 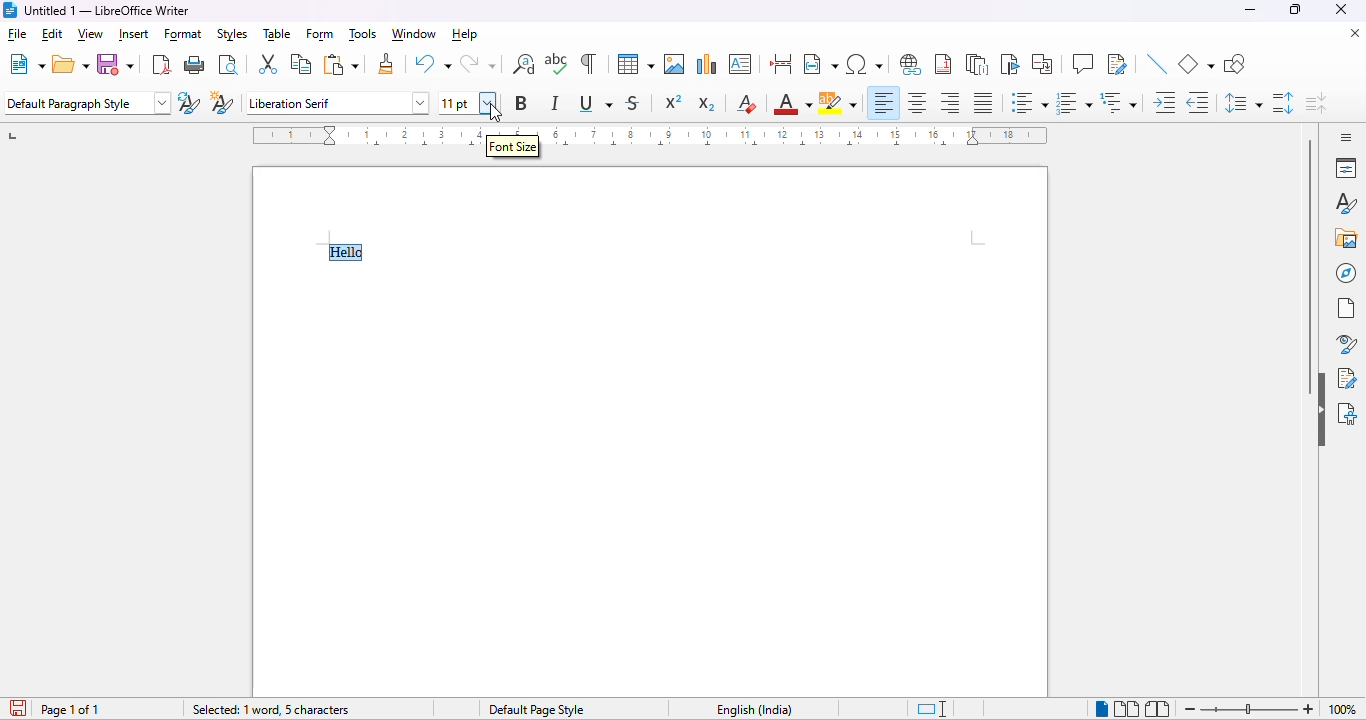 What do you see at coordinates (912, 65) in the screenshot?
I see `insert hyperlink` at bounding box center [912, 65].